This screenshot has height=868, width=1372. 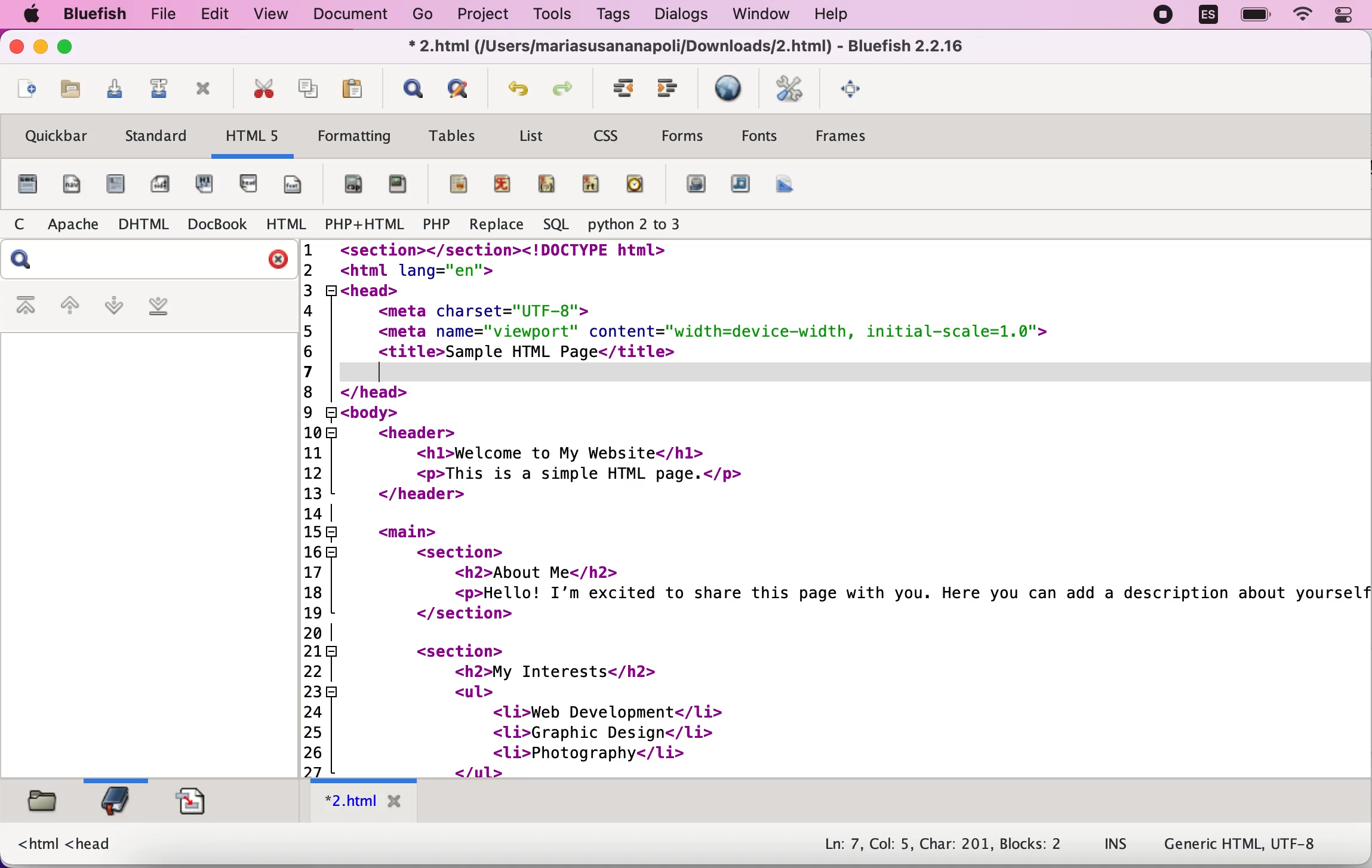 I want to click on file, so click(x=27, y=184).